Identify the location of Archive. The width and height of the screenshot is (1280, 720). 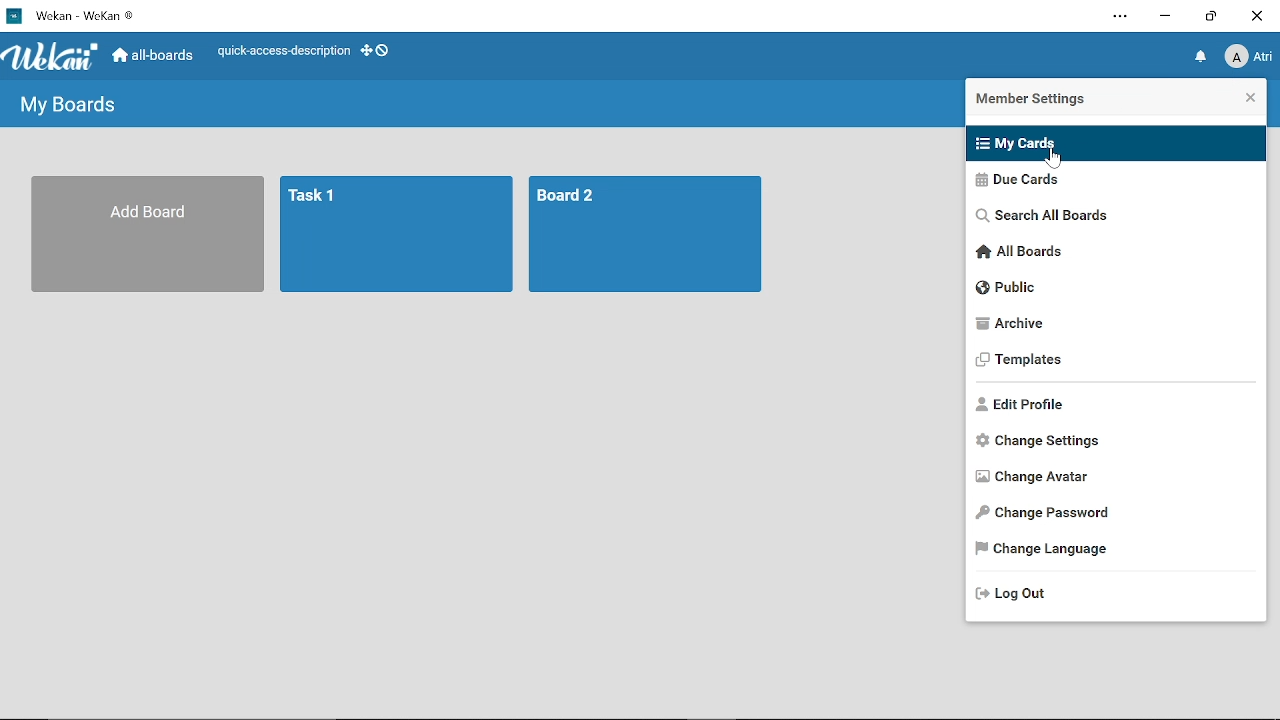
(1110, 323).